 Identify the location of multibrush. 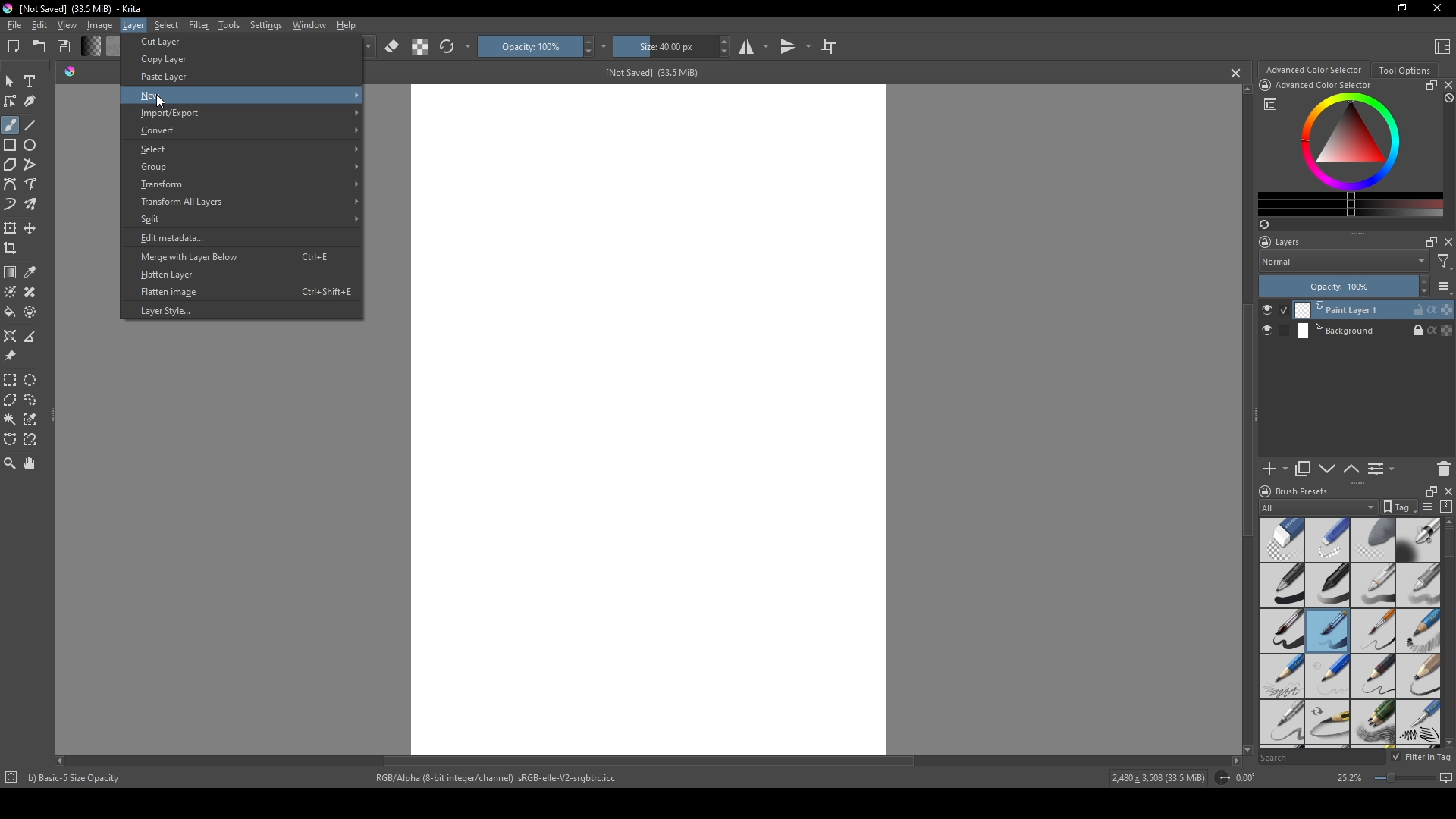
(32, 205).